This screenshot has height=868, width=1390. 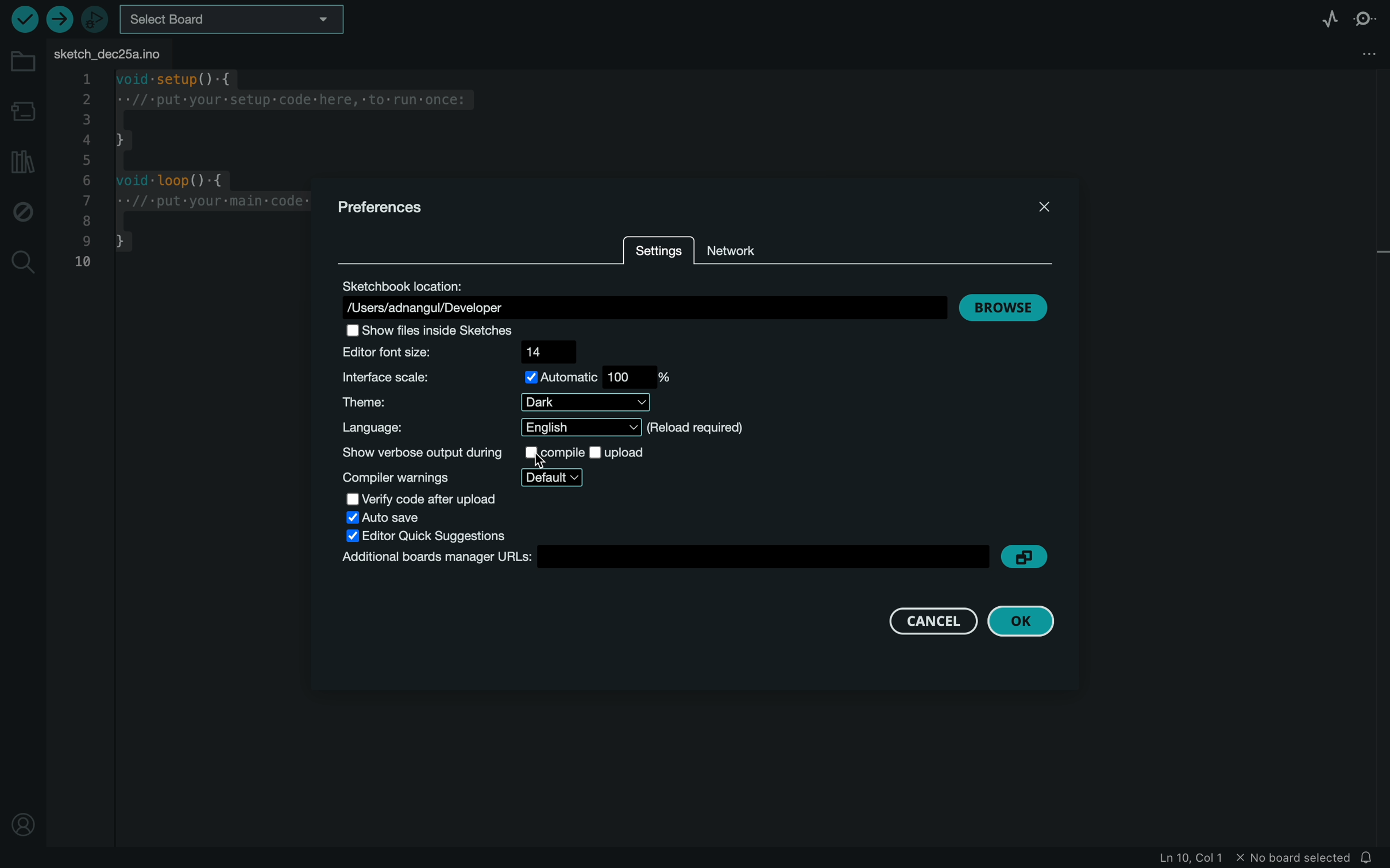 I want to click on library  manager, so click(x=23, y=163).